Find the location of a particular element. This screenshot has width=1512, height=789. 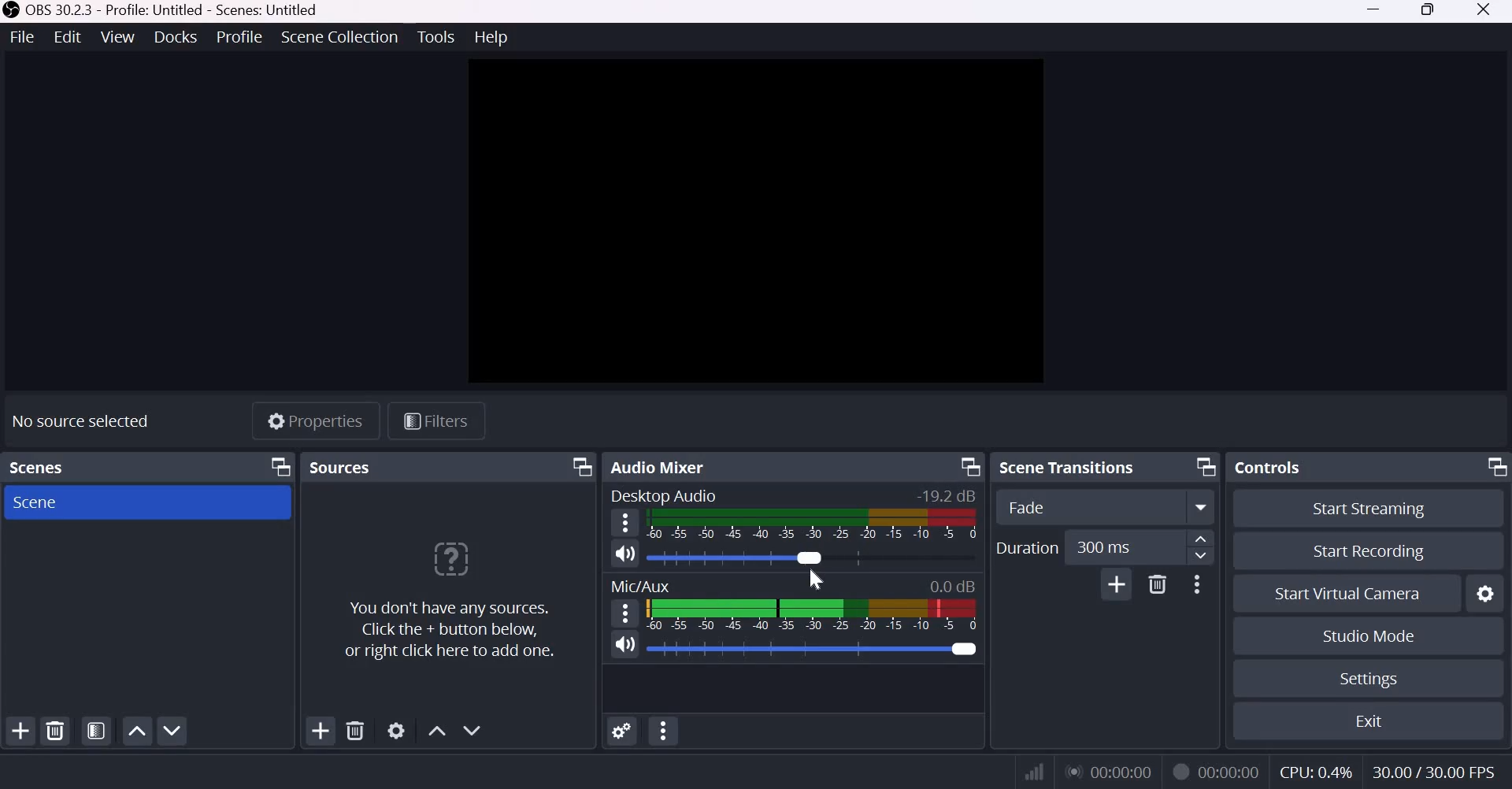

Move source(s) down is located at coordinates (472, 728).